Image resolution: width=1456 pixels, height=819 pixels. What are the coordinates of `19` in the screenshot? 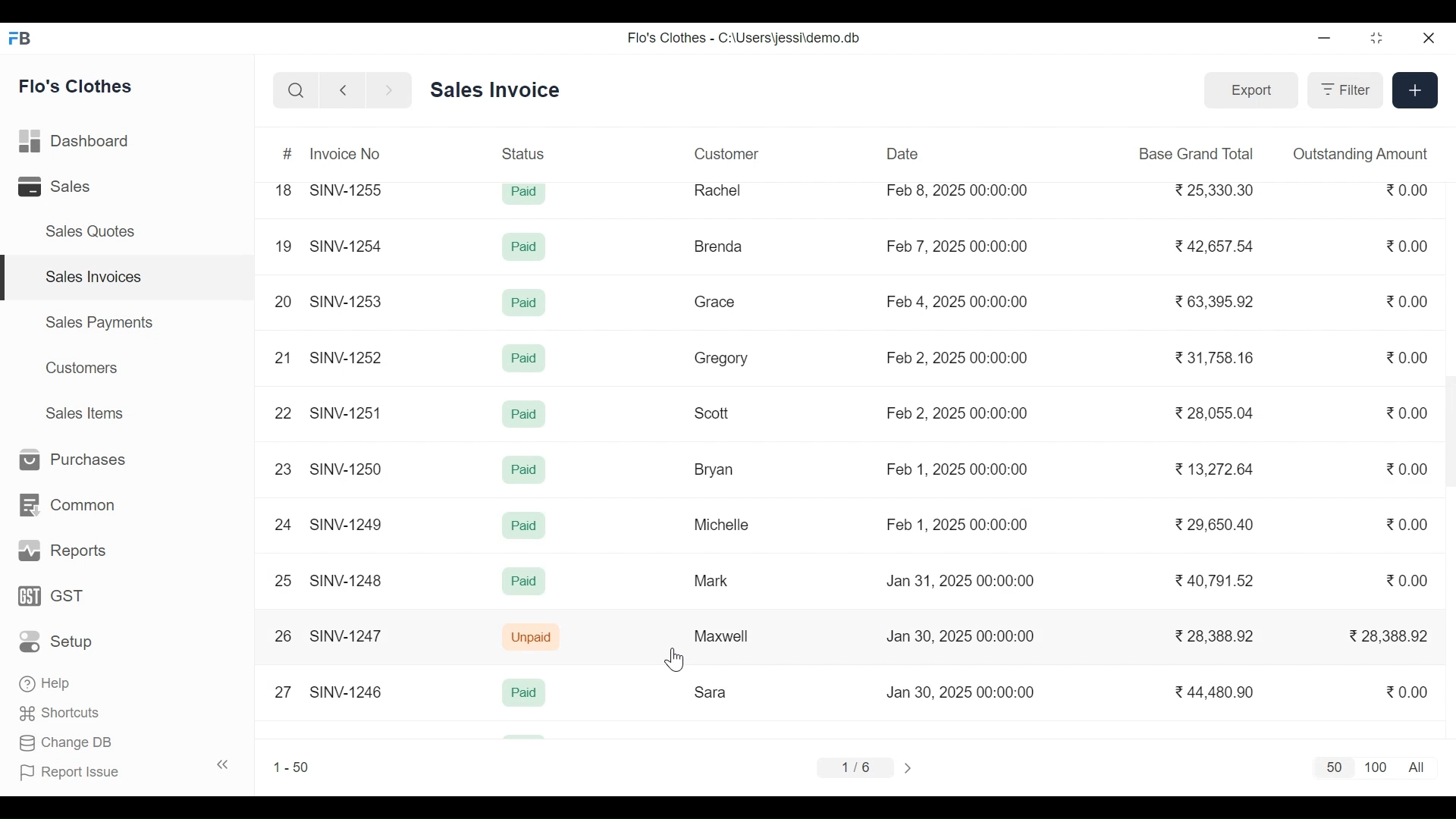 It's located at (283, 247).